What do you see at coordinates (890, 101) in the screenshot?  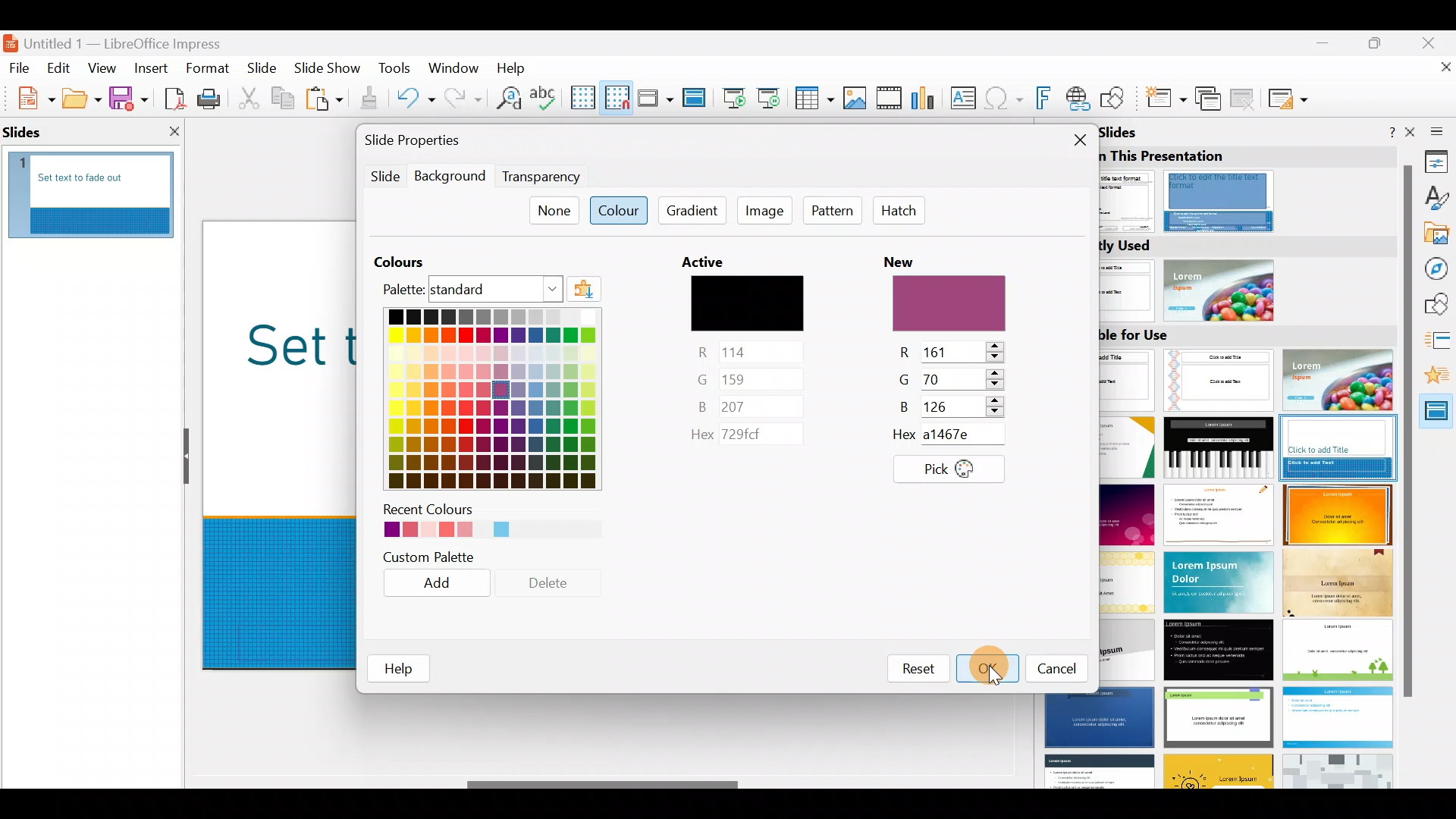 I see `Insert audio or video` at bounding box center [890, 101].